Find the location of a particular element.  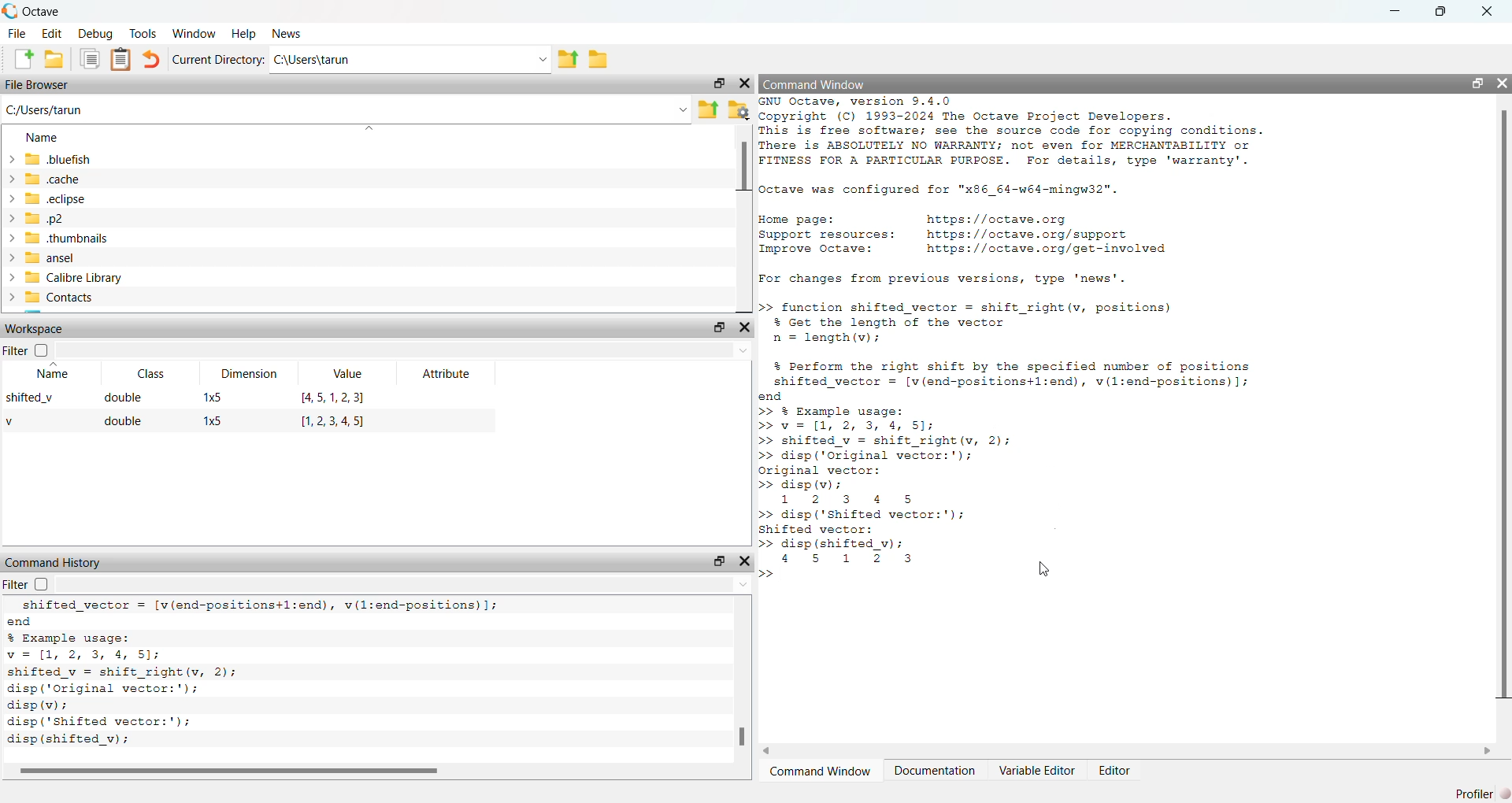

detail of octave configuration is located at coordinates (959, 189).